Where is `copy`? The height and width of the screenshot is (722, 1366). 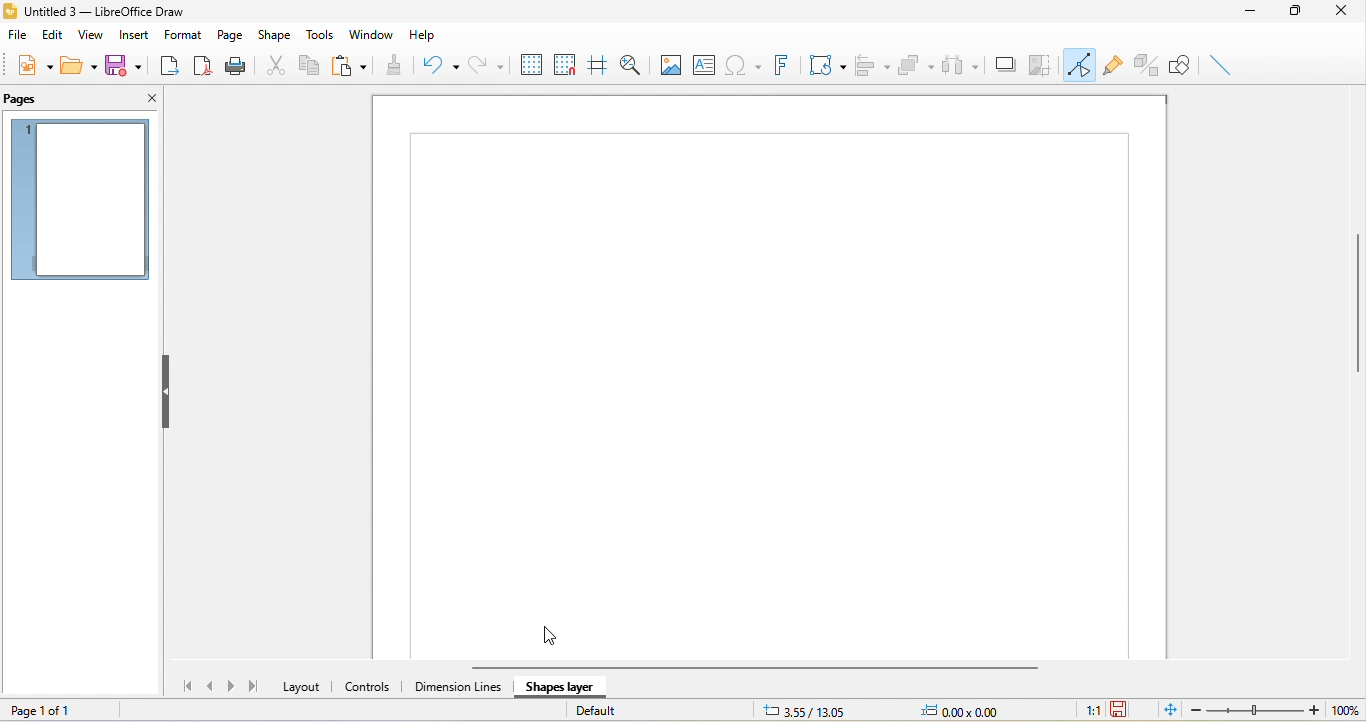
copy is located at coordinates (310, 65).